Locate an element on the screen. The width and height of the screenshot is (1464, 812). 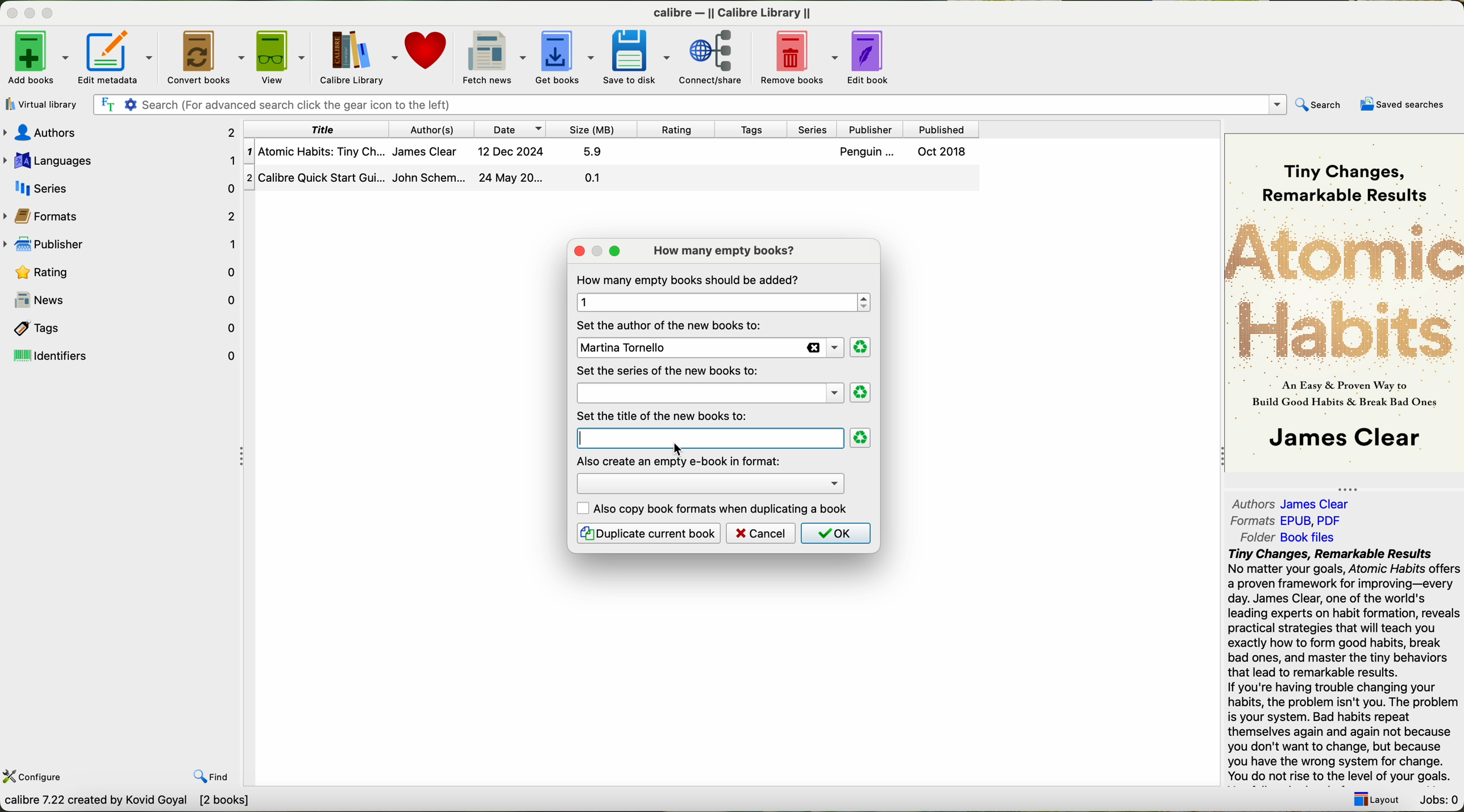
clear is located at coordinates (860, 348).